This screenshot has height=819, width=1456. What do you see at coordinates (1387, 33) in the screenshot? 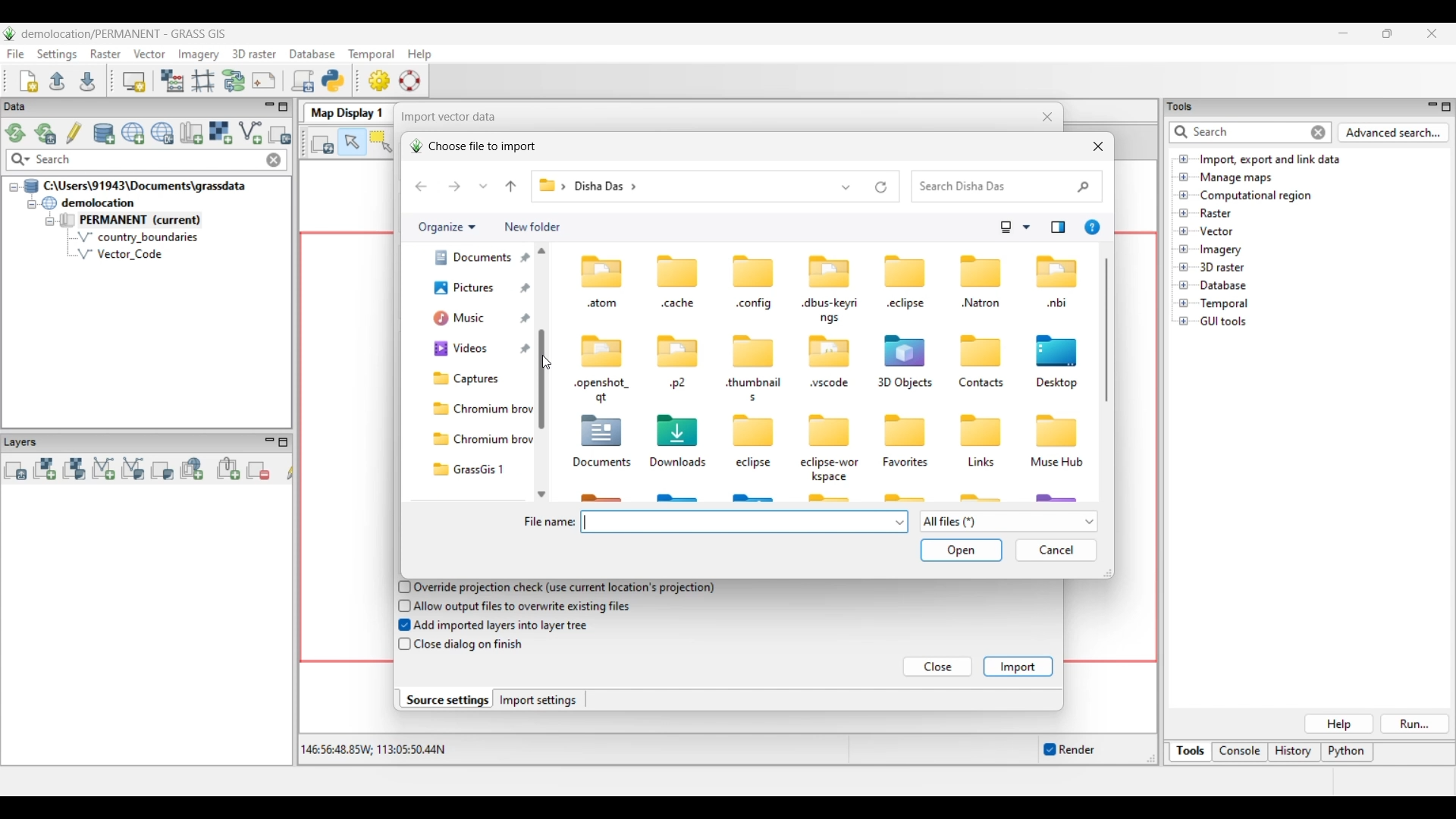
I see `Show interface in a smaller tab` at bounding box center [1387, 33].